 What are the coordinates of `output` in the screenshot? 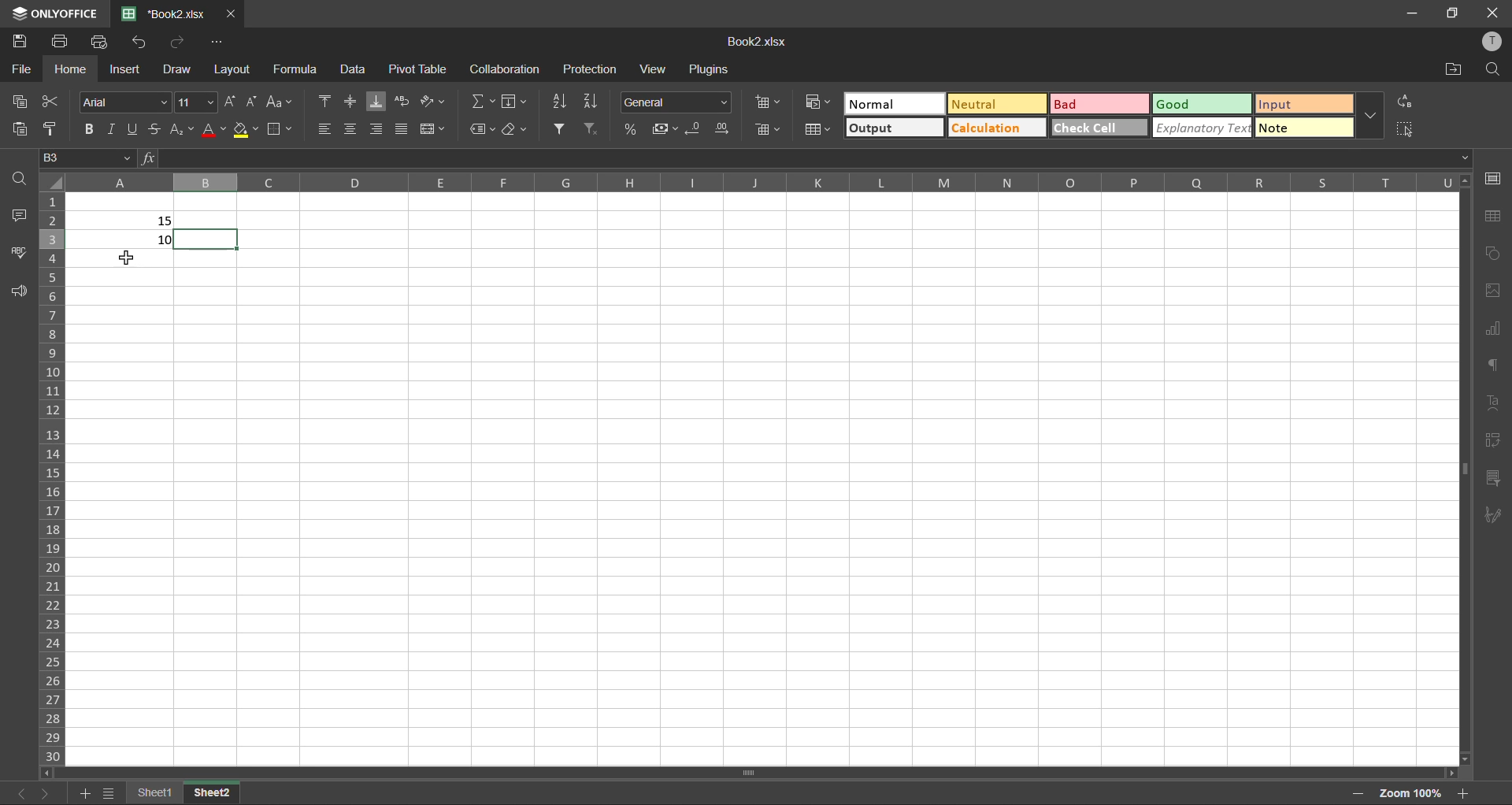 It's located at (895, 127).